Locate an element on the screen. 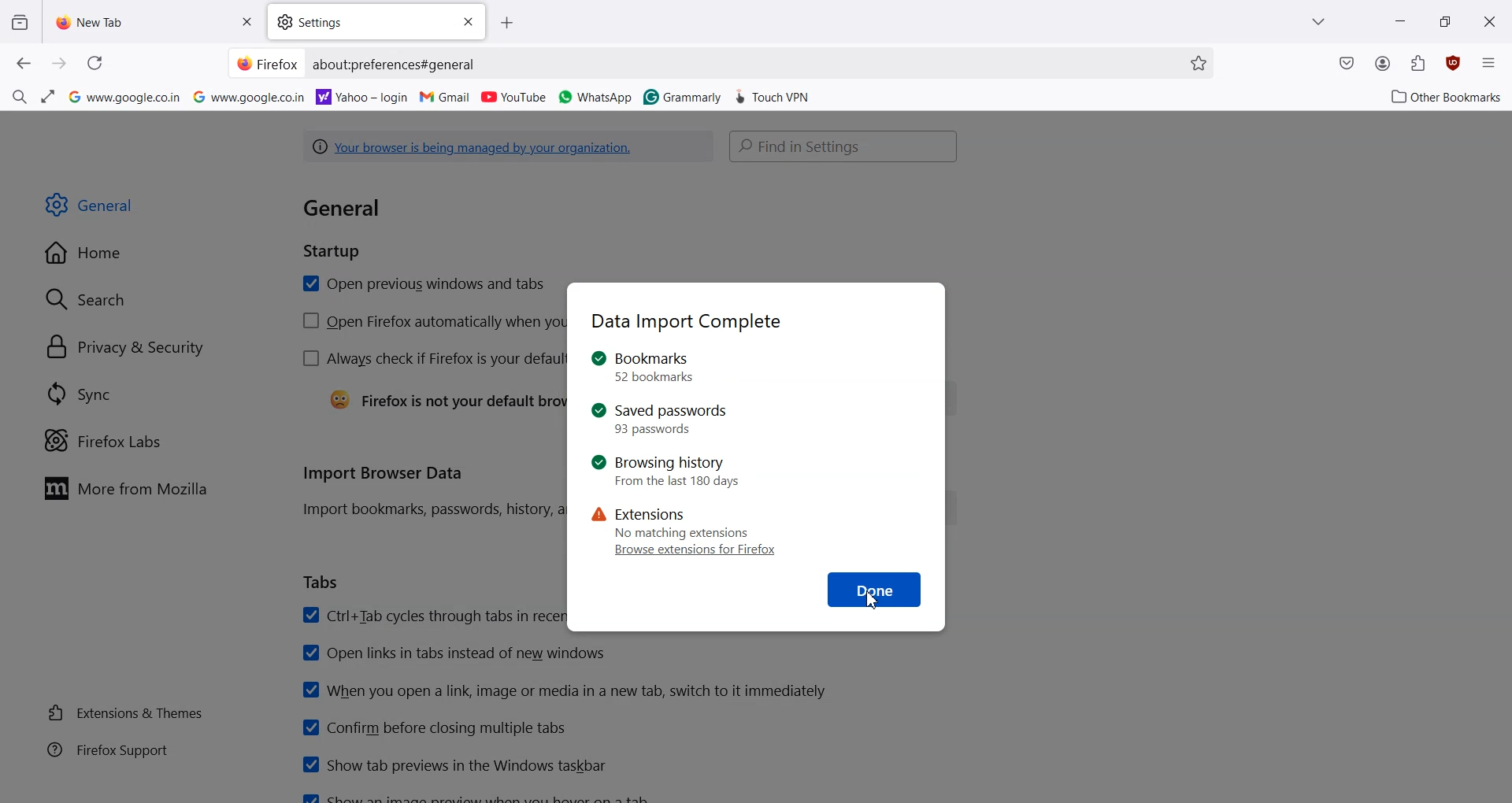 This screenshot has height=803, width=1512. Bookmarks is located at coordinates (660, 368).